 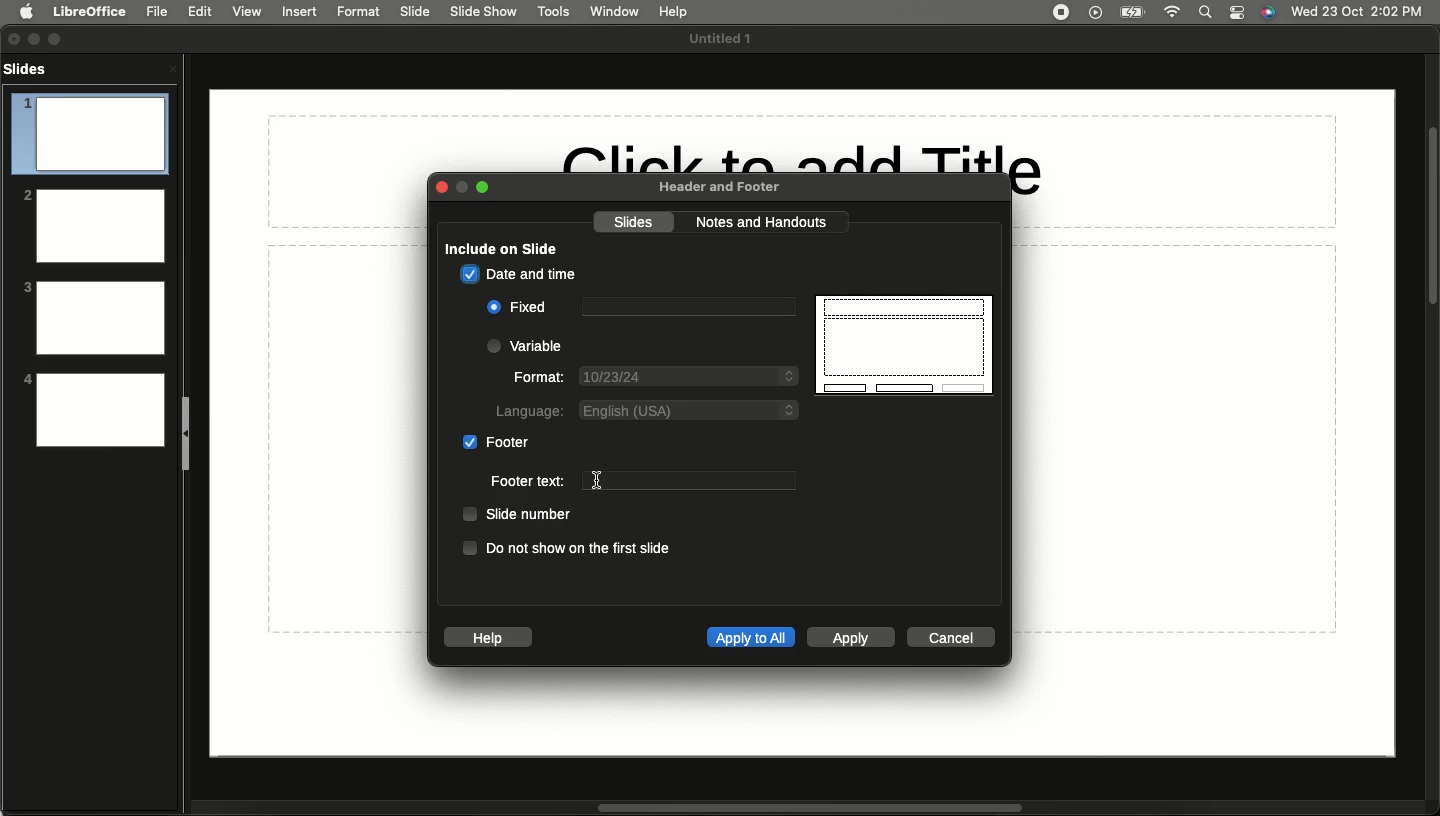 What do you see at coordinates (1175, 12) in the screenshot?
I see `Internet` at bounding box center [1175, 12].